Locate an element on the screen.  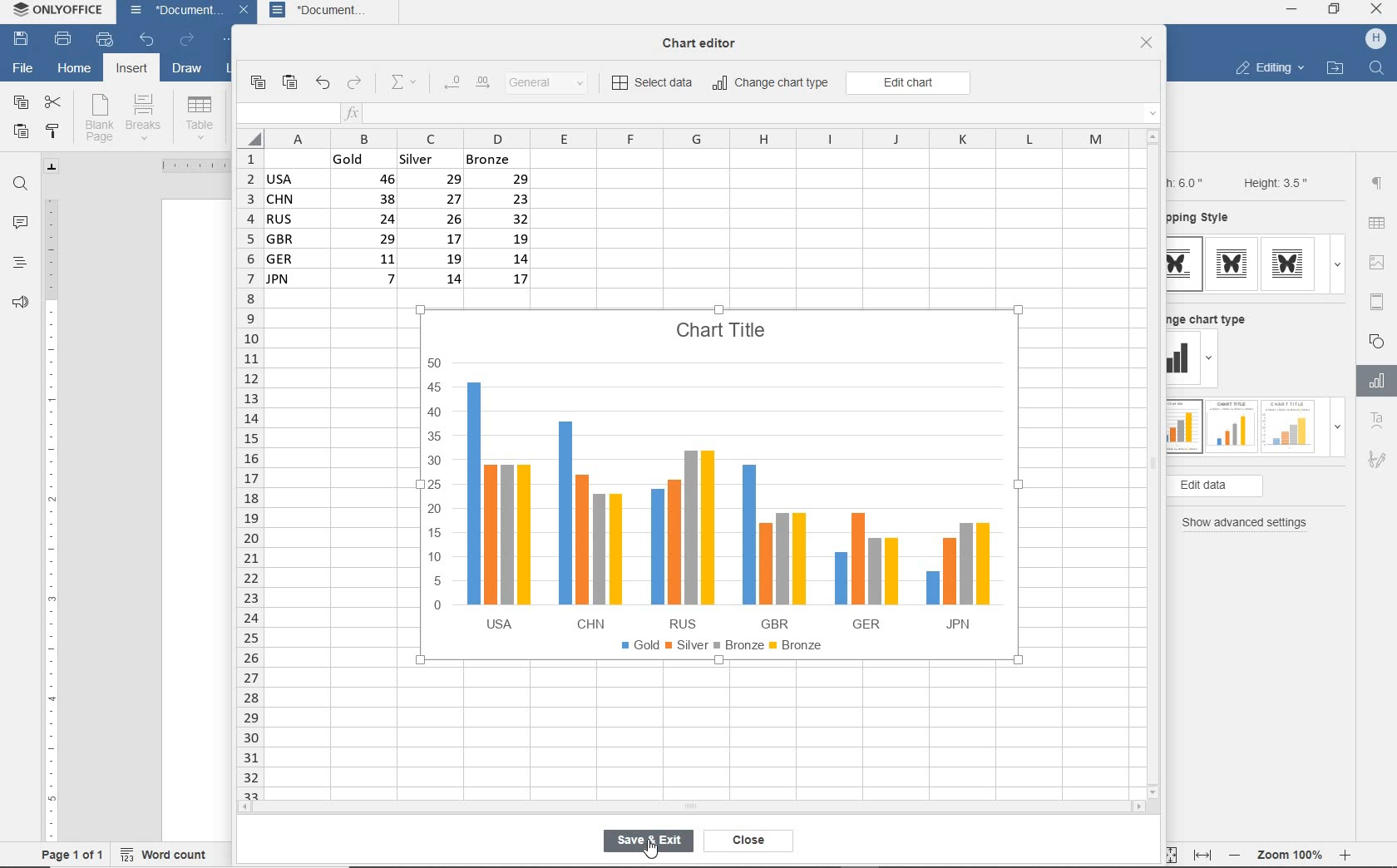
type 3 is located at coordinates (1289, 425).